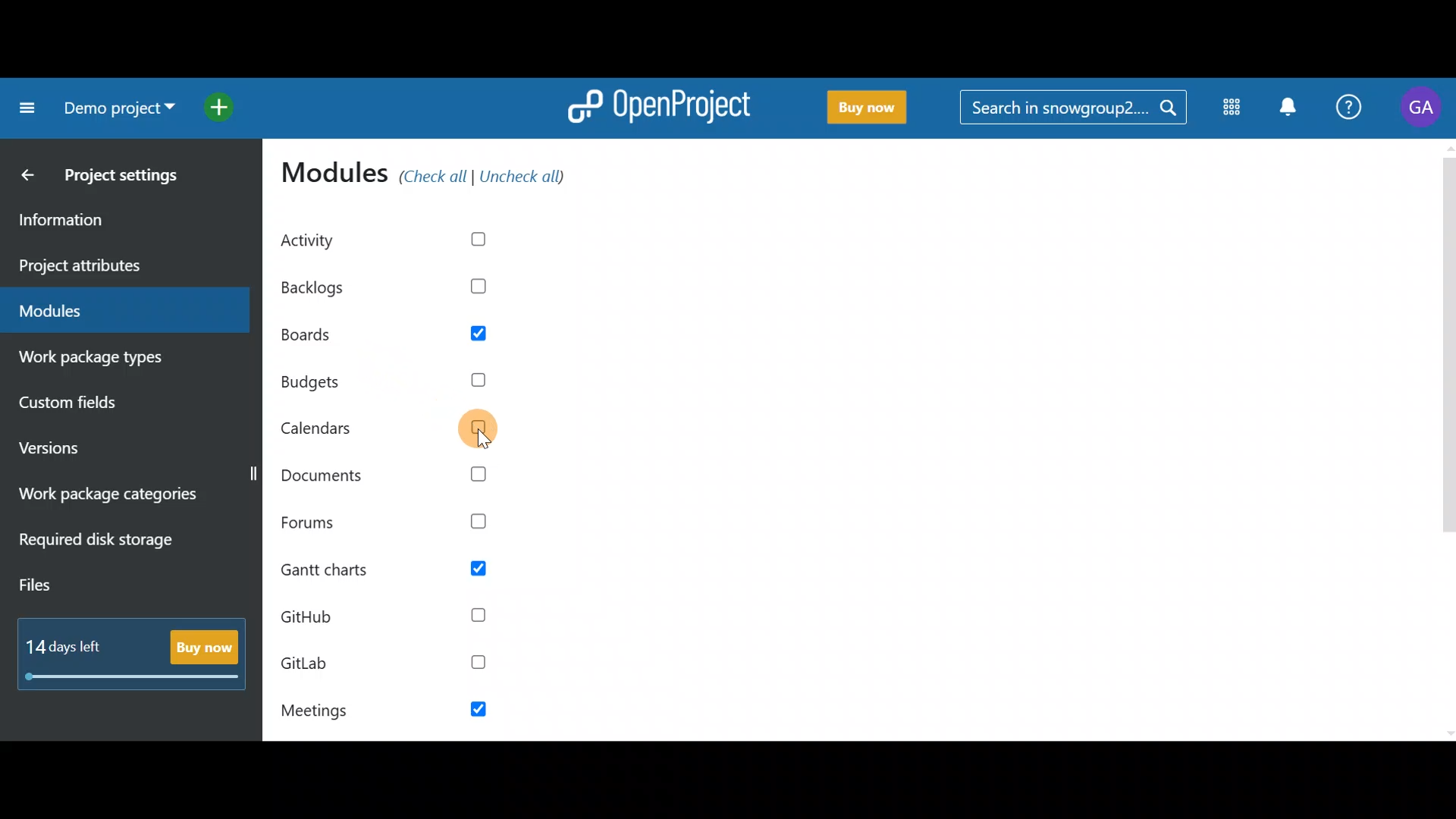 This screenshot has width=1456, height=819. What do you see at coordinates (396, 337) in the screenshot?
I see `Boards` at bounding box center [396, 337].